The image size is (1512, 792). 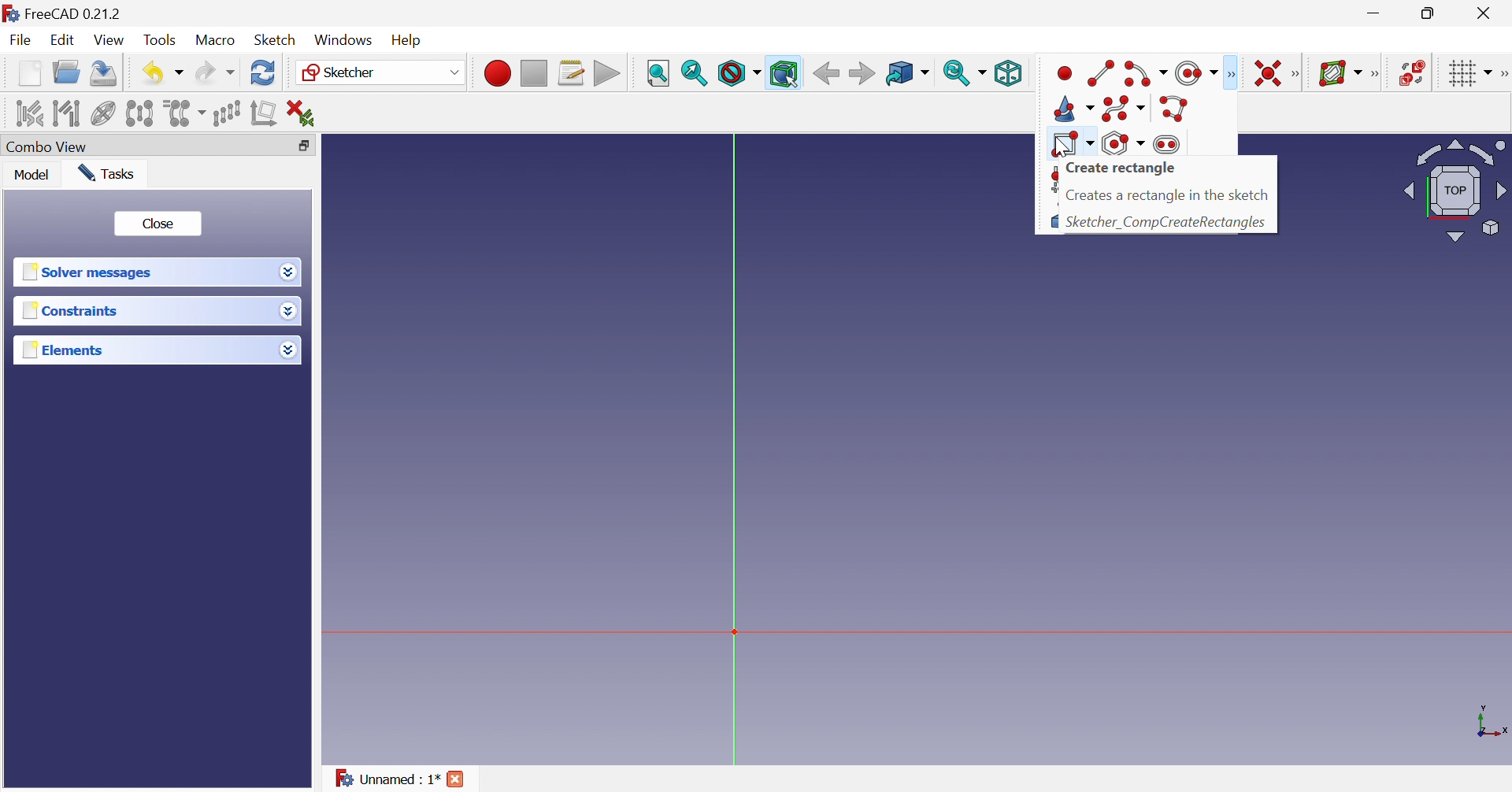 I want to click on Macros..., so click(x=572, y=74).